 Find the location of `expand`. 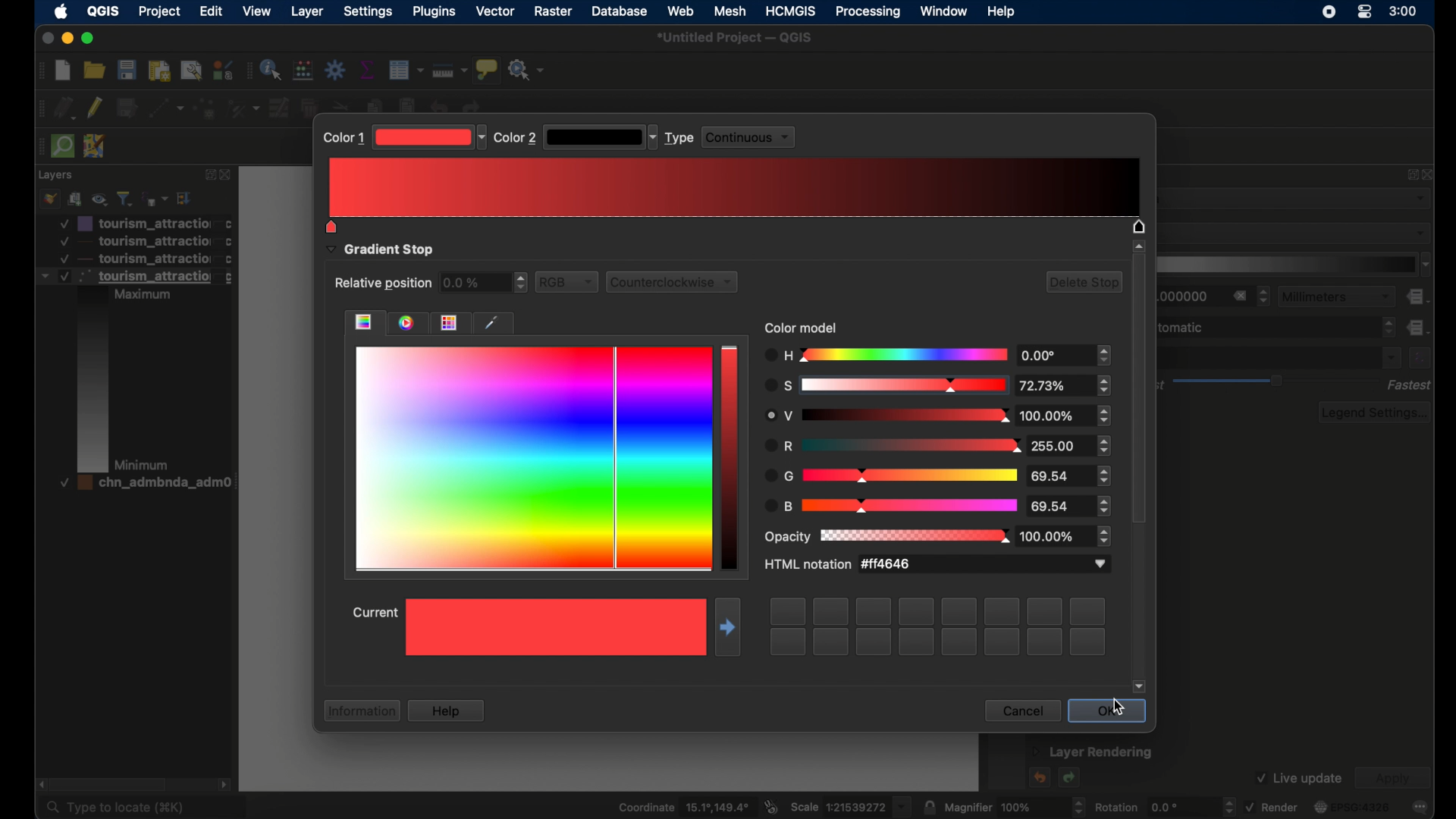

expand is located at coordinates (1410, 177).